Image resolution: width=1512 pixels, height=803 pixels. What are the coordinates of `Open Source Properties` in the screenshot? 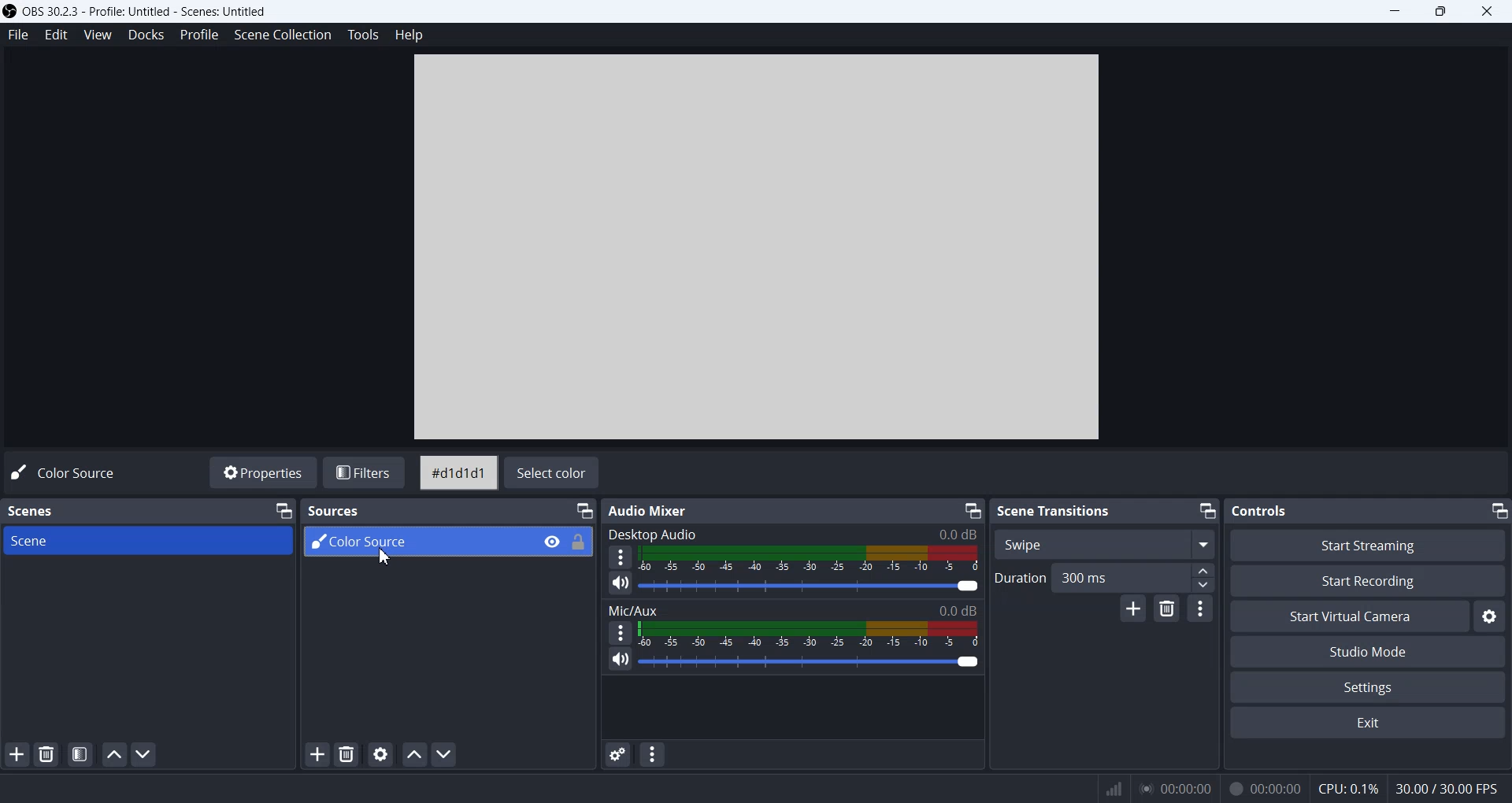 It's located at (380, 754).